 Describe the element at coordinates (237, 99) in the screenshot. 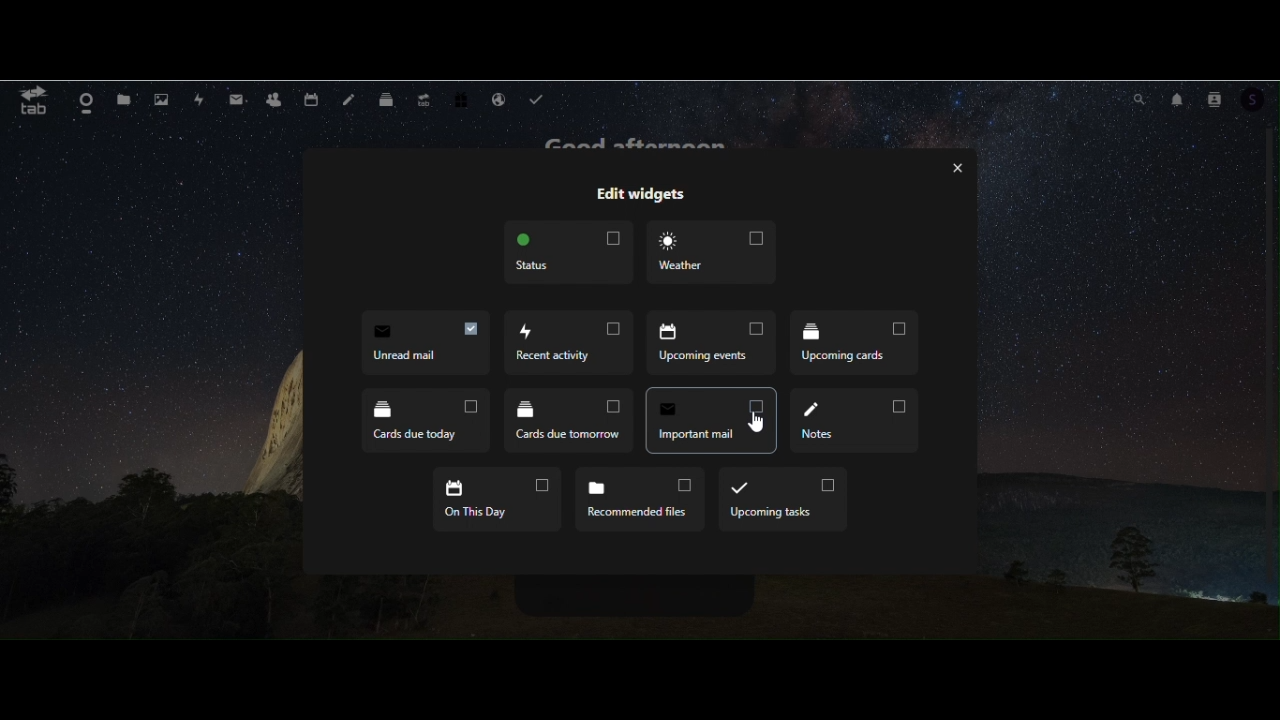

I see `mail` at that location.